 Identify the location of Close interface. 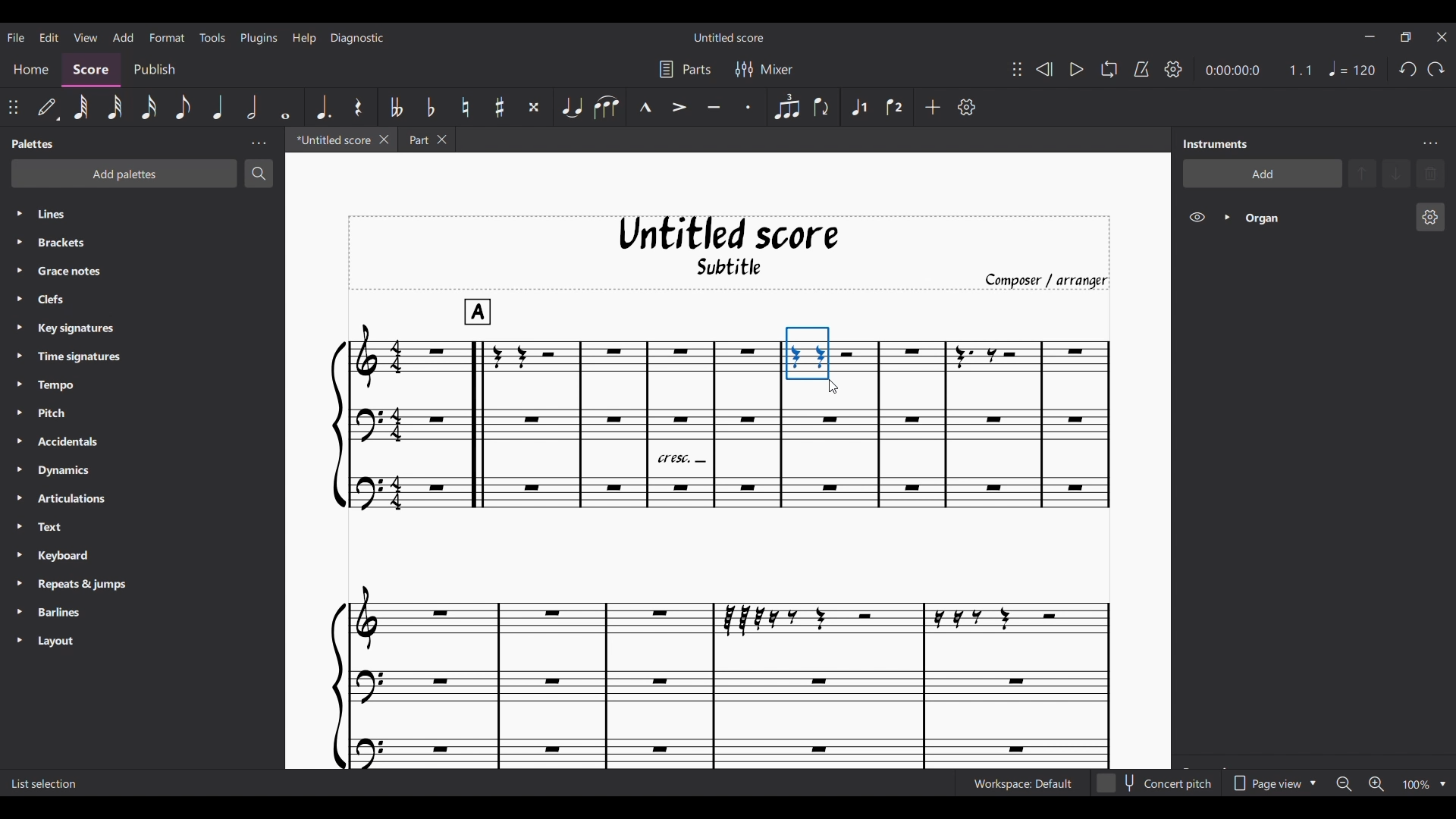
(1442, 36).